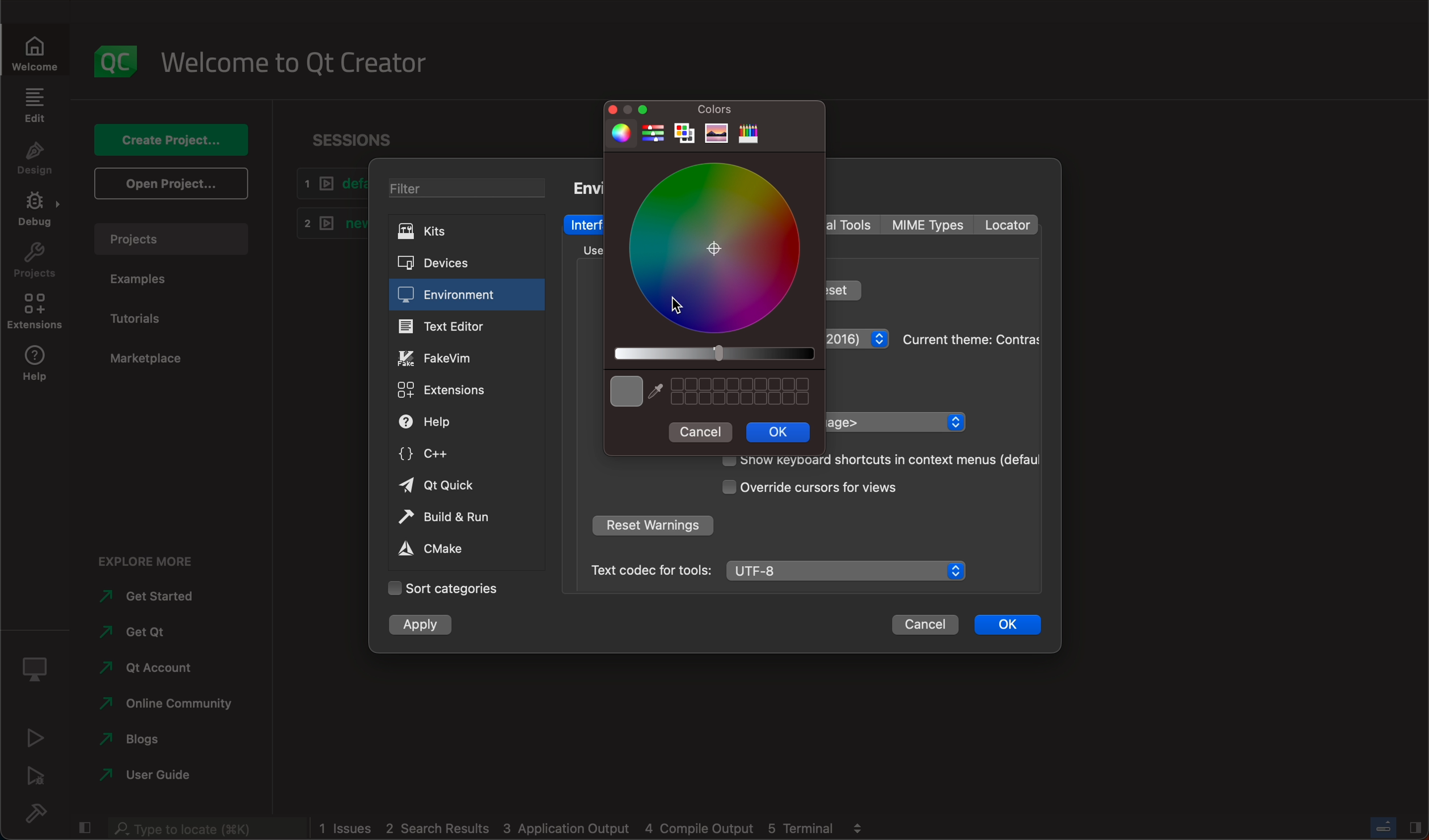 This screenshot has width=1429, height=840. I want to click on explore more, so click(152, 555).